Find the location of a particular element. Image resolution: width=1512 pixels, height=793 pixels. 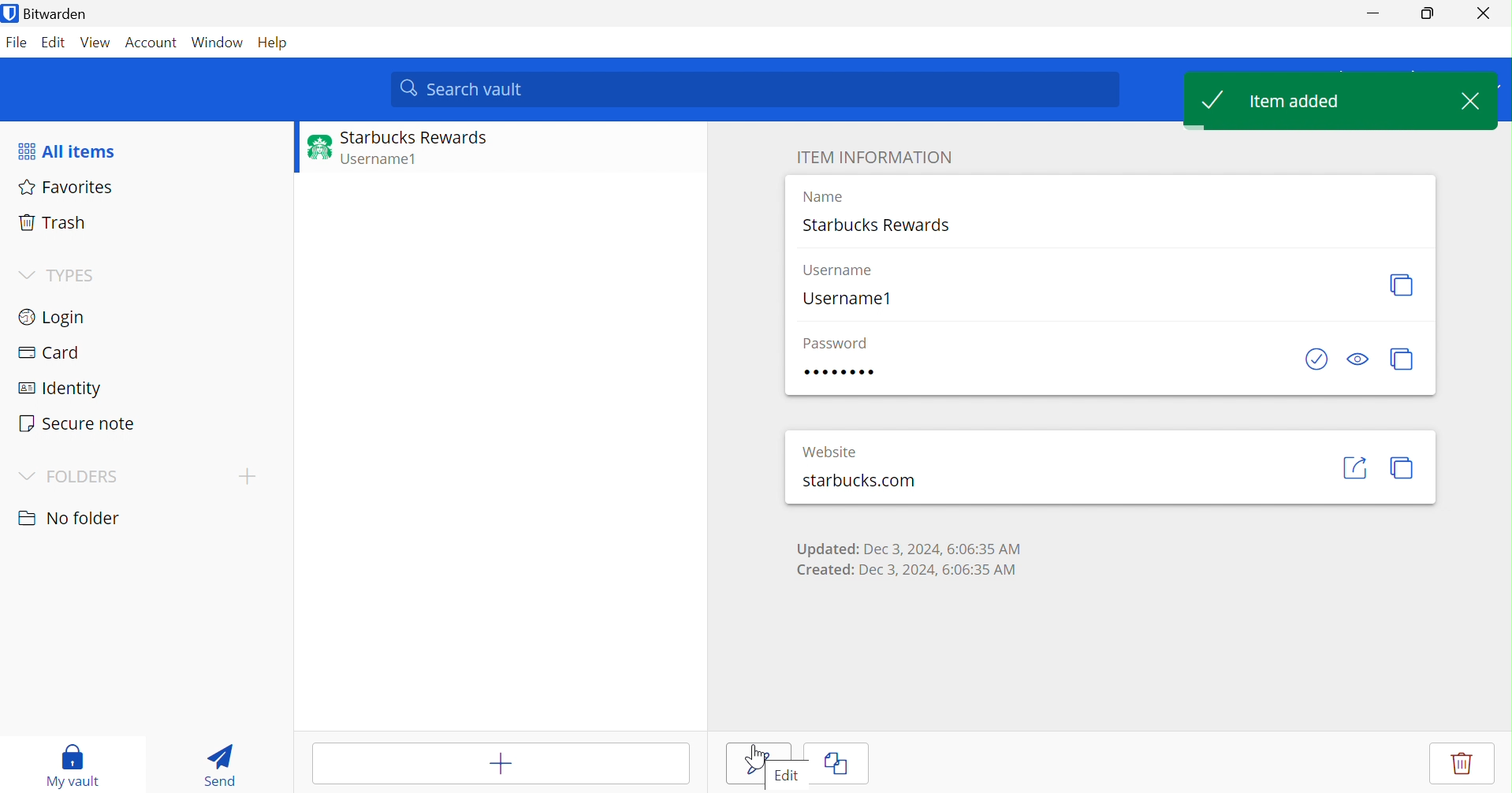

Copy URI is located at coordinates (1402, 466).